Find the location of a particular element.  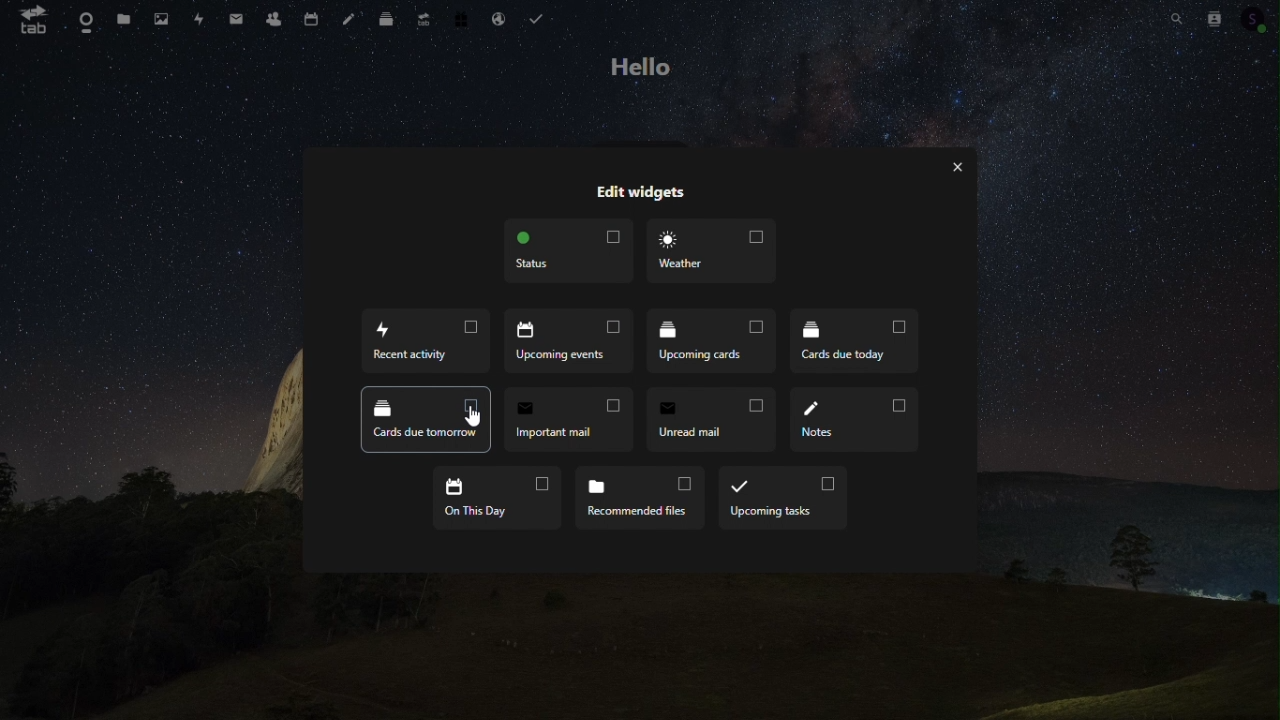

Recent activity is located at coordinates (426, 341).